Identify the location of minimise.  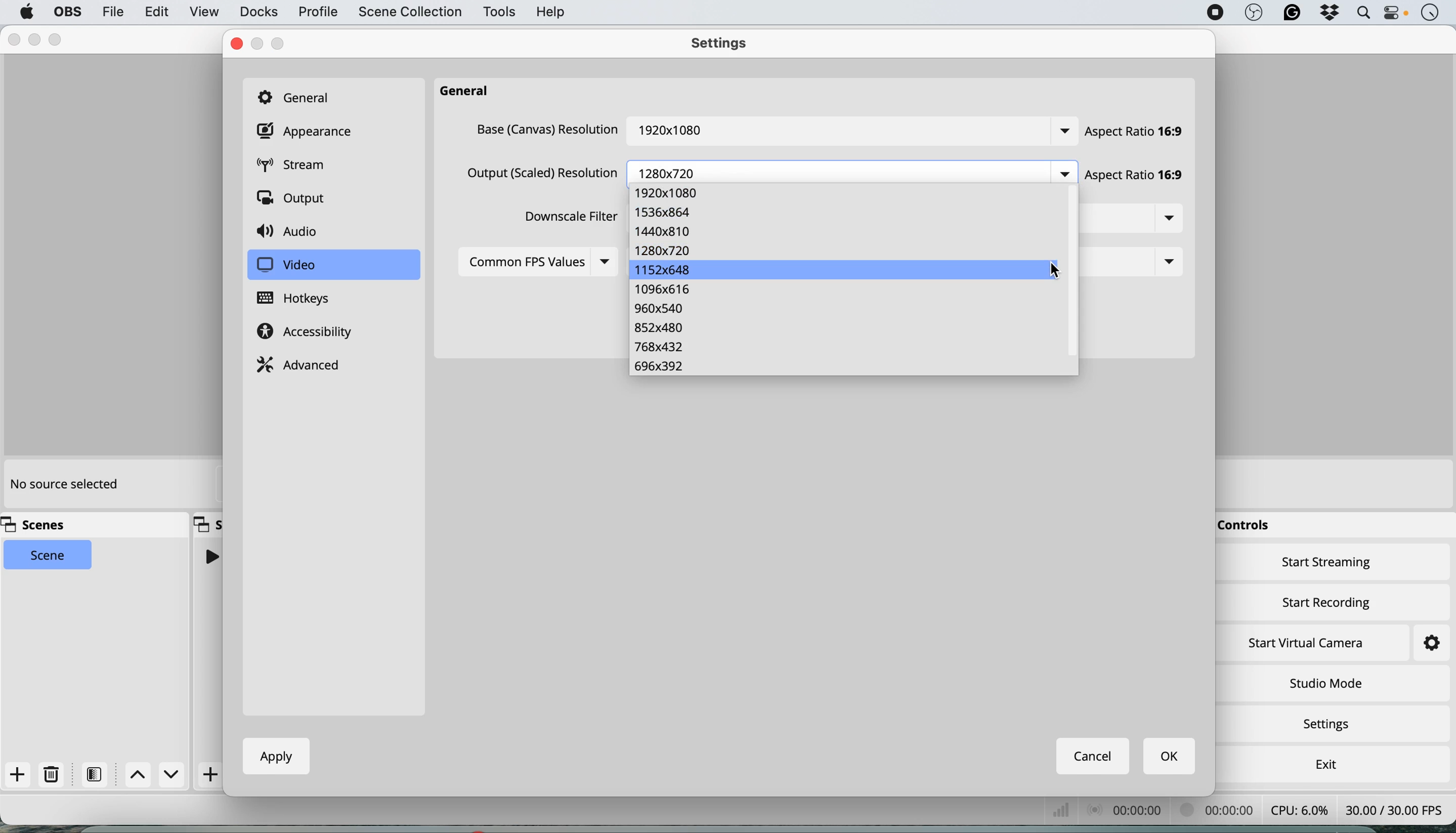
(38, 40).